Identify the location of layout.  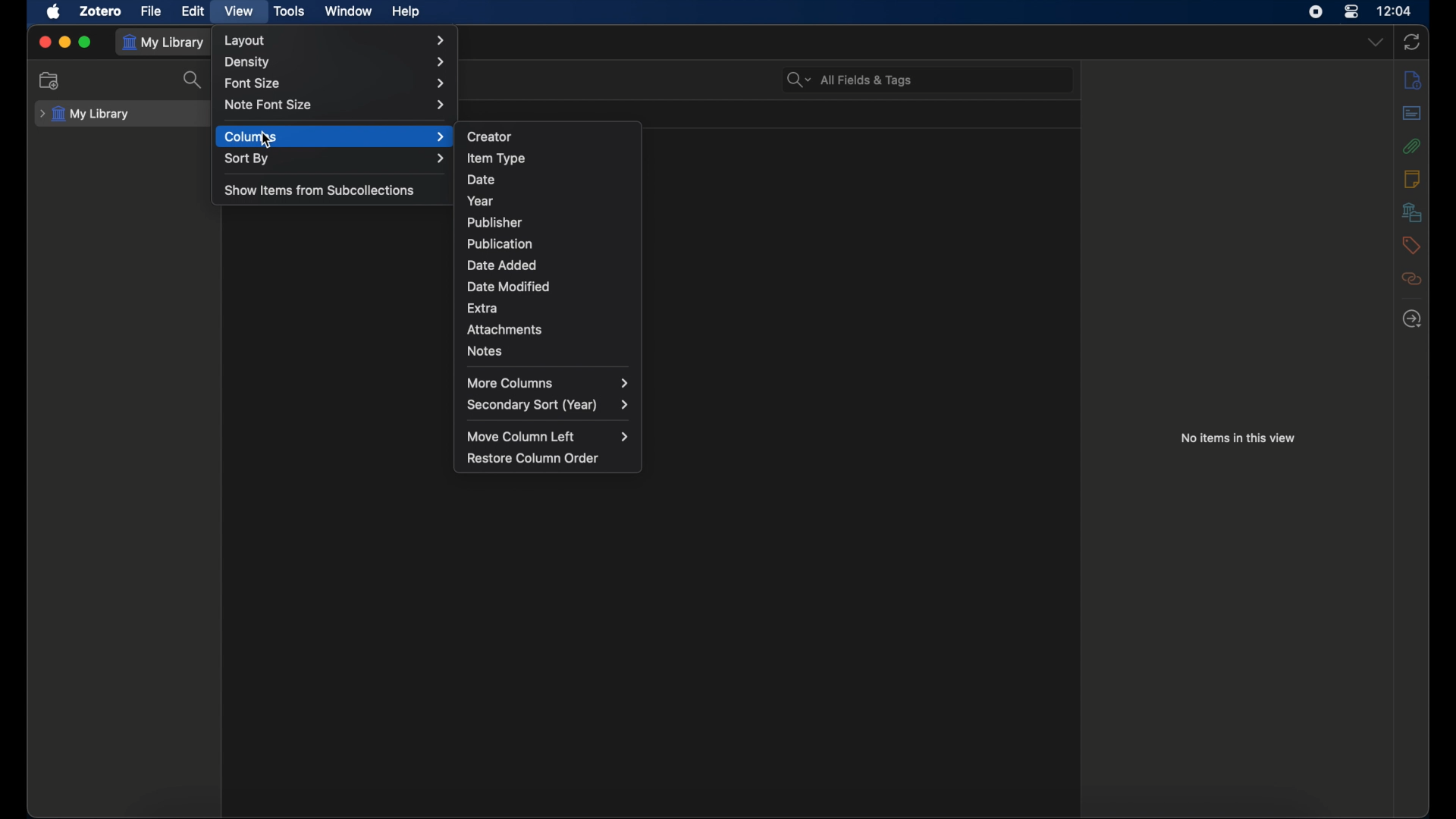
(337, 39).